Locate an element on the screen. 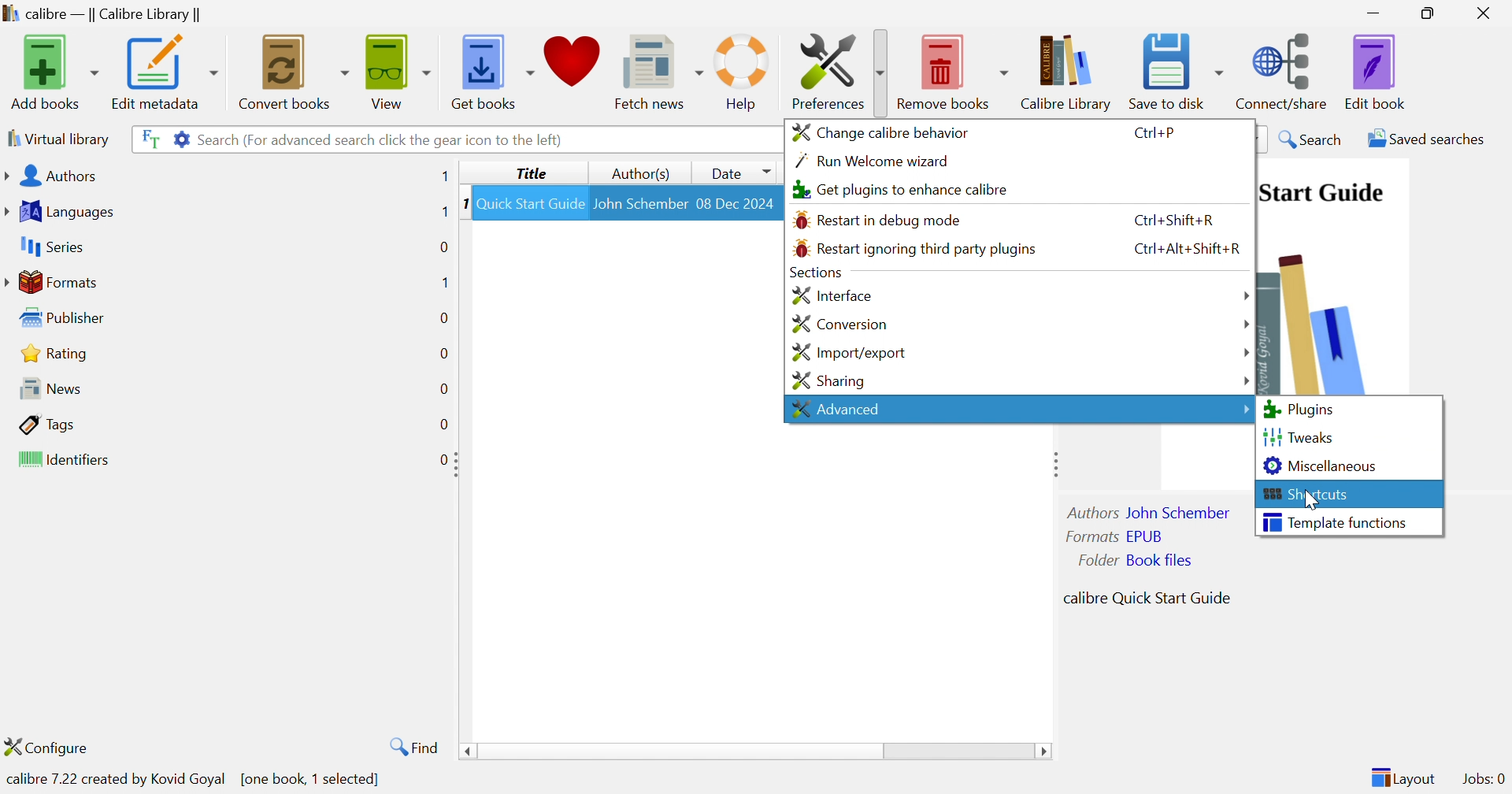 This screenshot has height=794, width=1512. Drop Down is located at coordinates (1246, 325).